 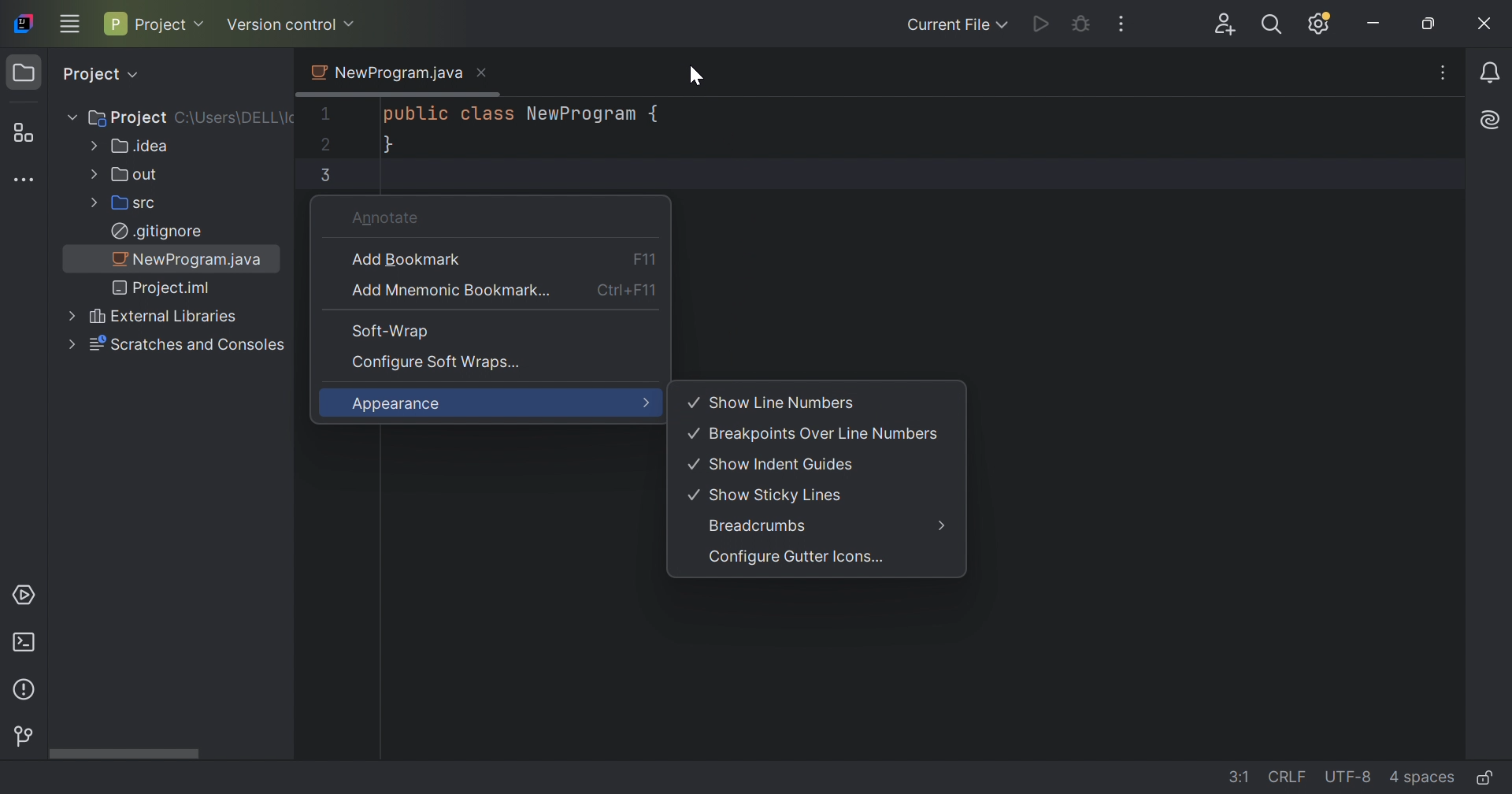 What do you see at coordinates (25, 738) in the screenshot?
I see `Version control` at bounding box center [25, 738].